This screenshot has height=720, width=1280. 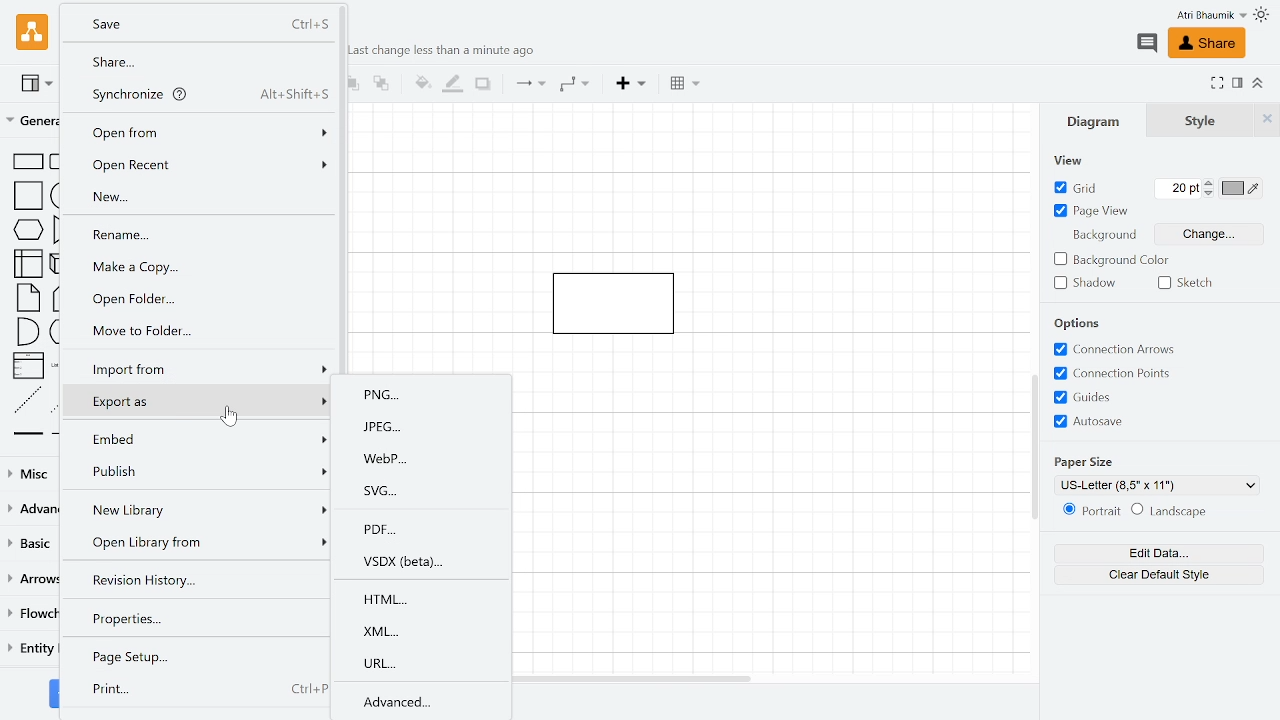 I want to click on Open library form, so click(x=200, y=544).